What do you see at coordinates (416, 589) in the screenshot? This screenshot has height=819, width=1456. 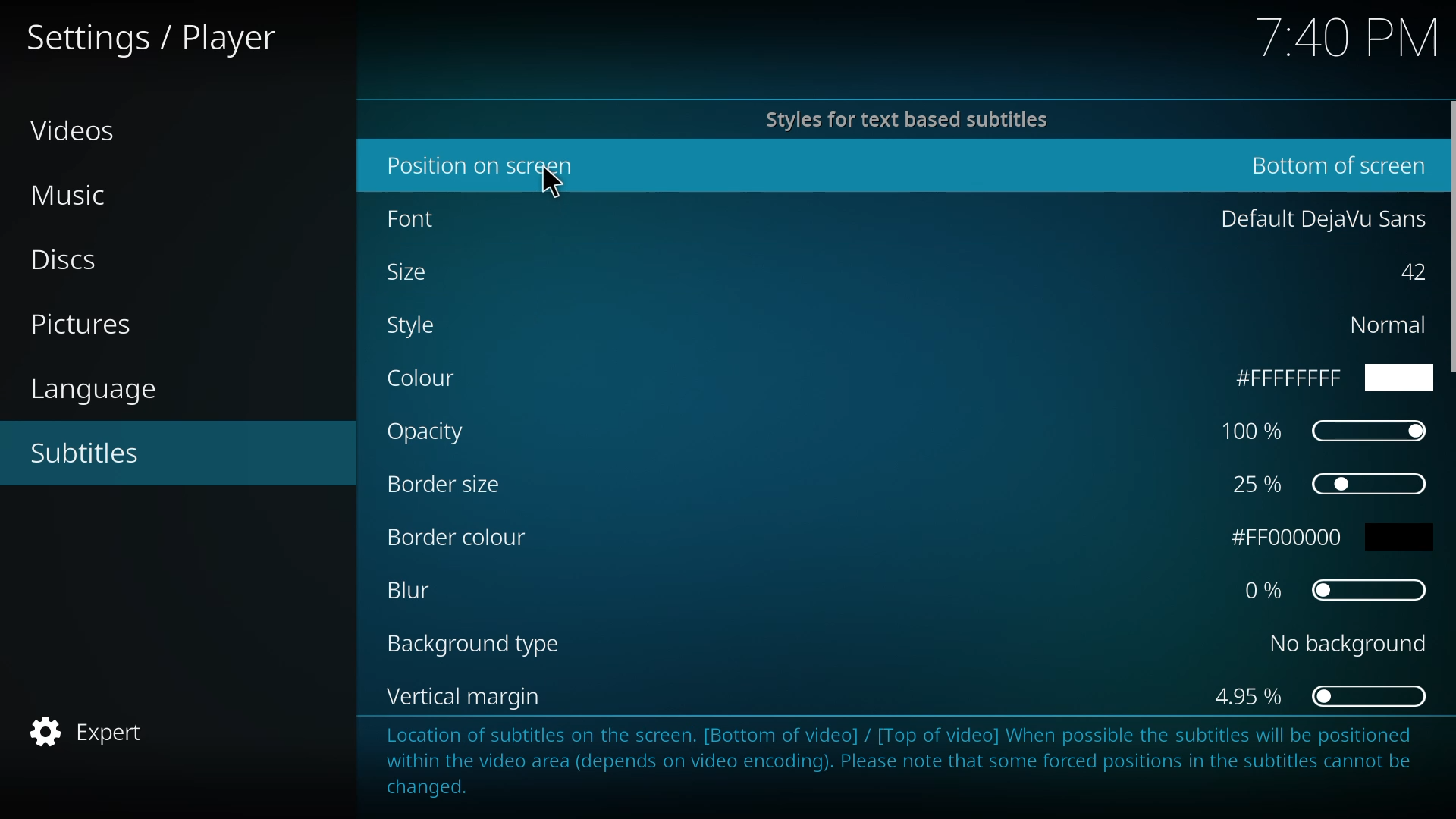 I see `blur` at bounding box center [416, 589].